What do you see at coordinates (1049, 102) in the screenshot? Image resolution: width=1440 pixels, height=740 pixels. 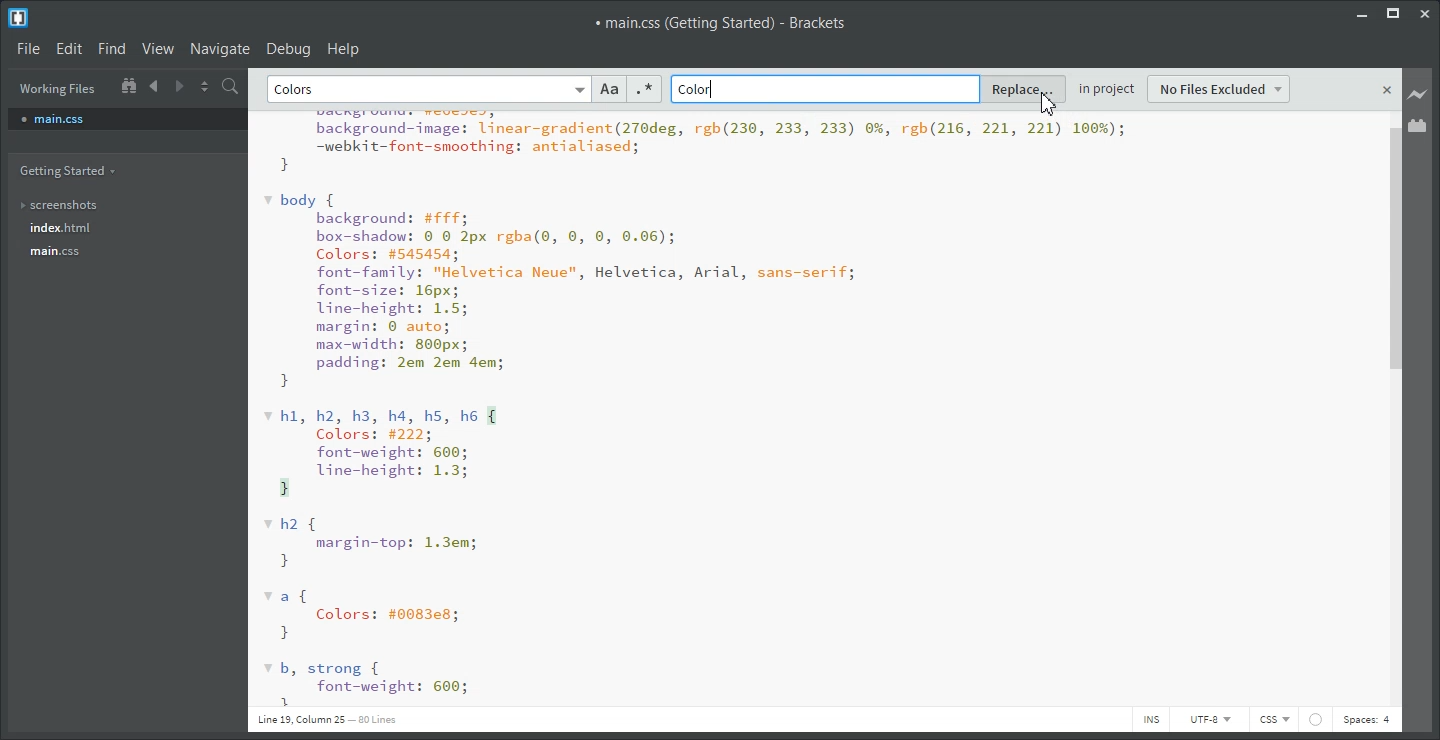 I see `Cursor` at bounding box center [1049, 102].